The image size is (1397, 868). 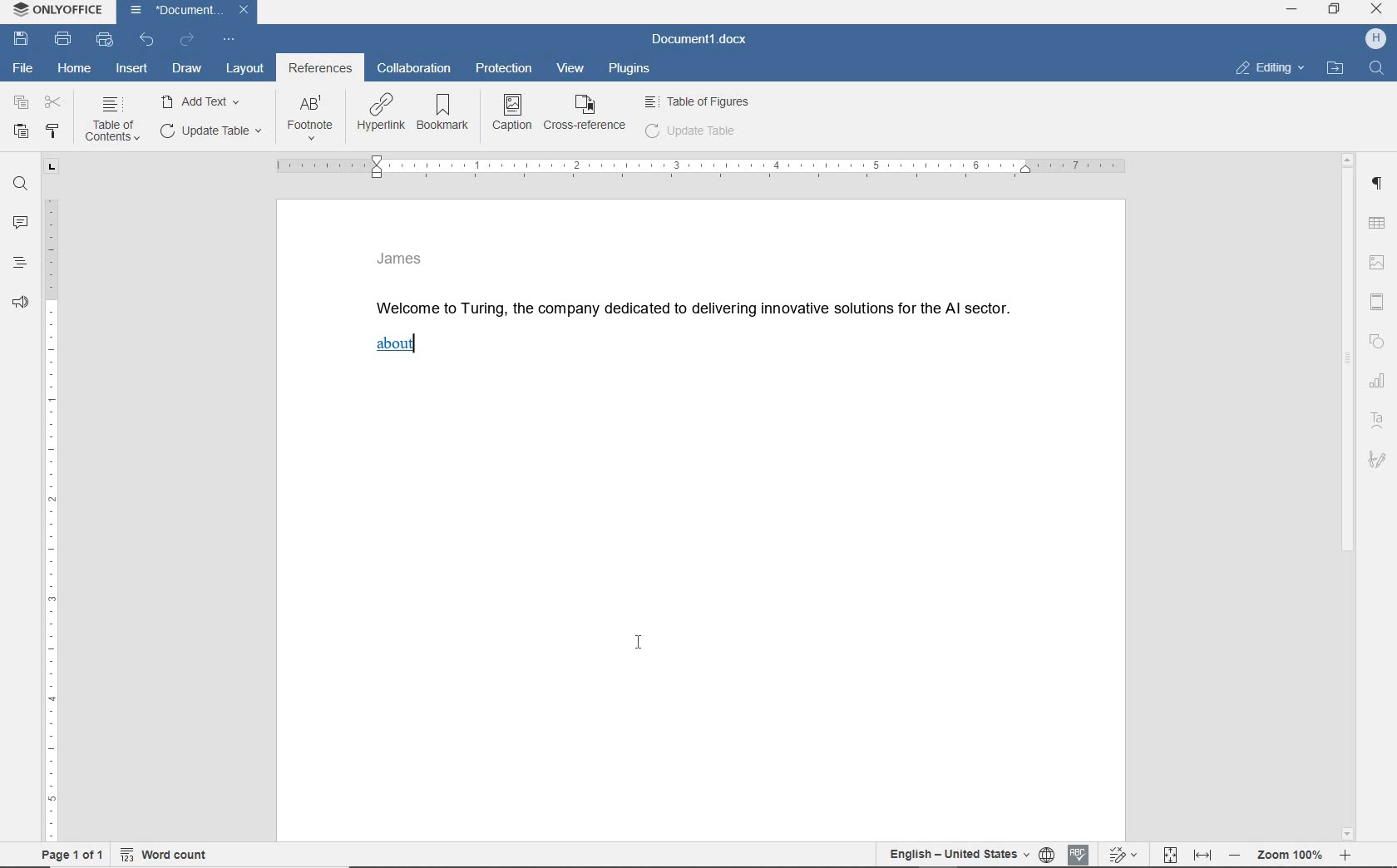 I want to click on zoom 100%, so click(x=1295, y=857).